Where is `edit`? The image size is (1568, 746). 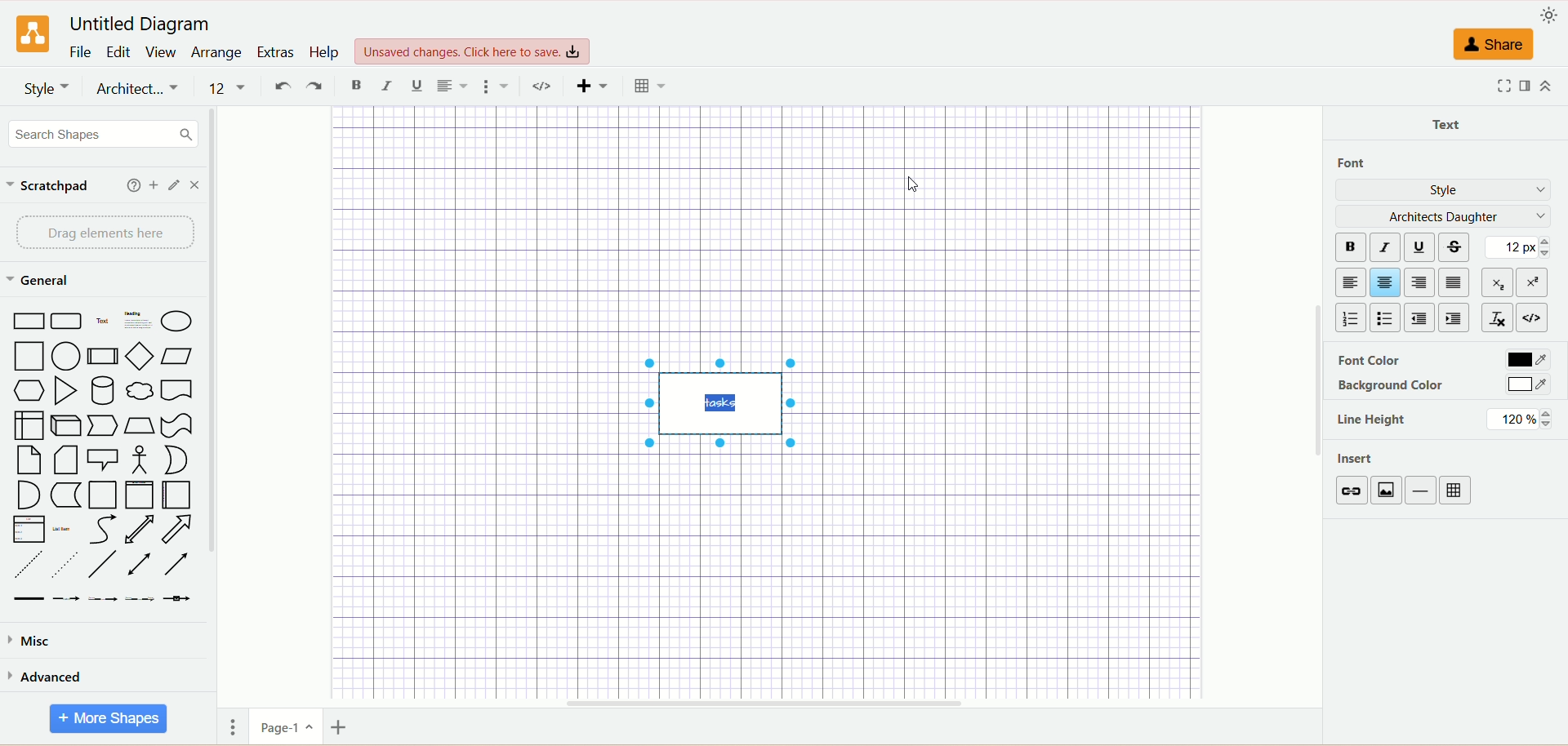
edit is located at coordinates (176, 185).